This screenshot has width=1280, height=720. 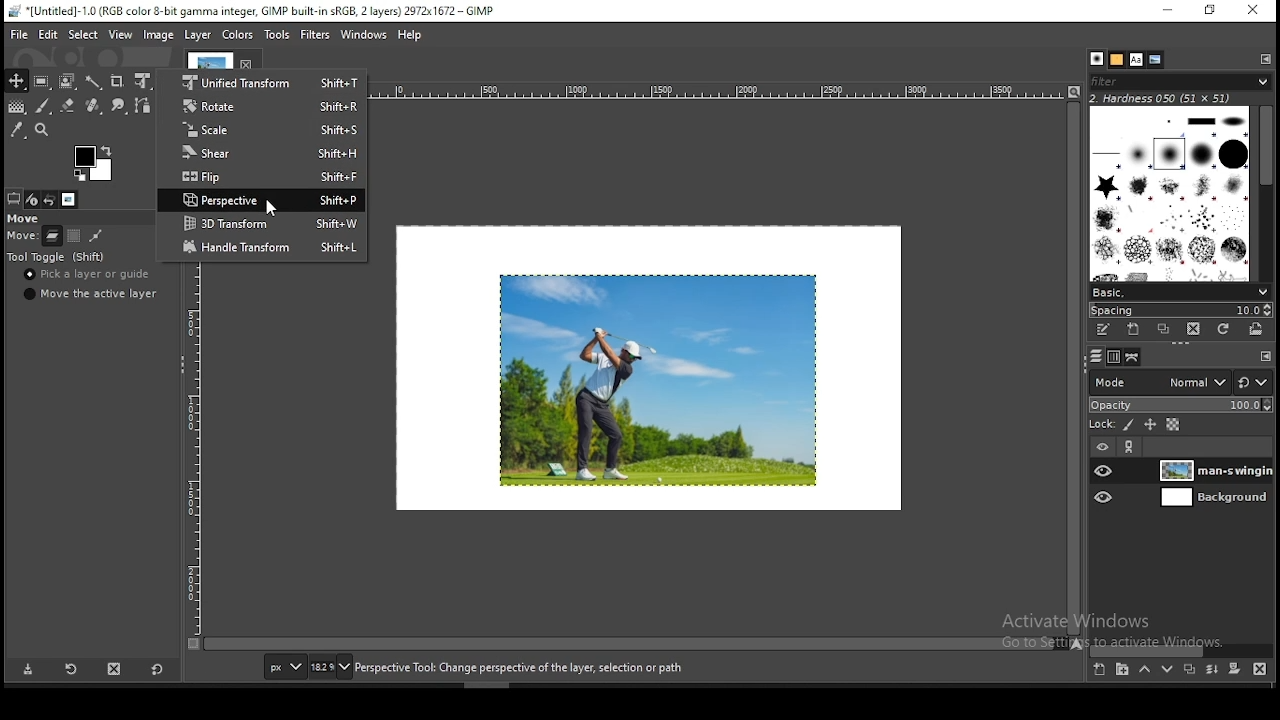 I want to click on layer visibility on/off, so click(x=1104, y=499).